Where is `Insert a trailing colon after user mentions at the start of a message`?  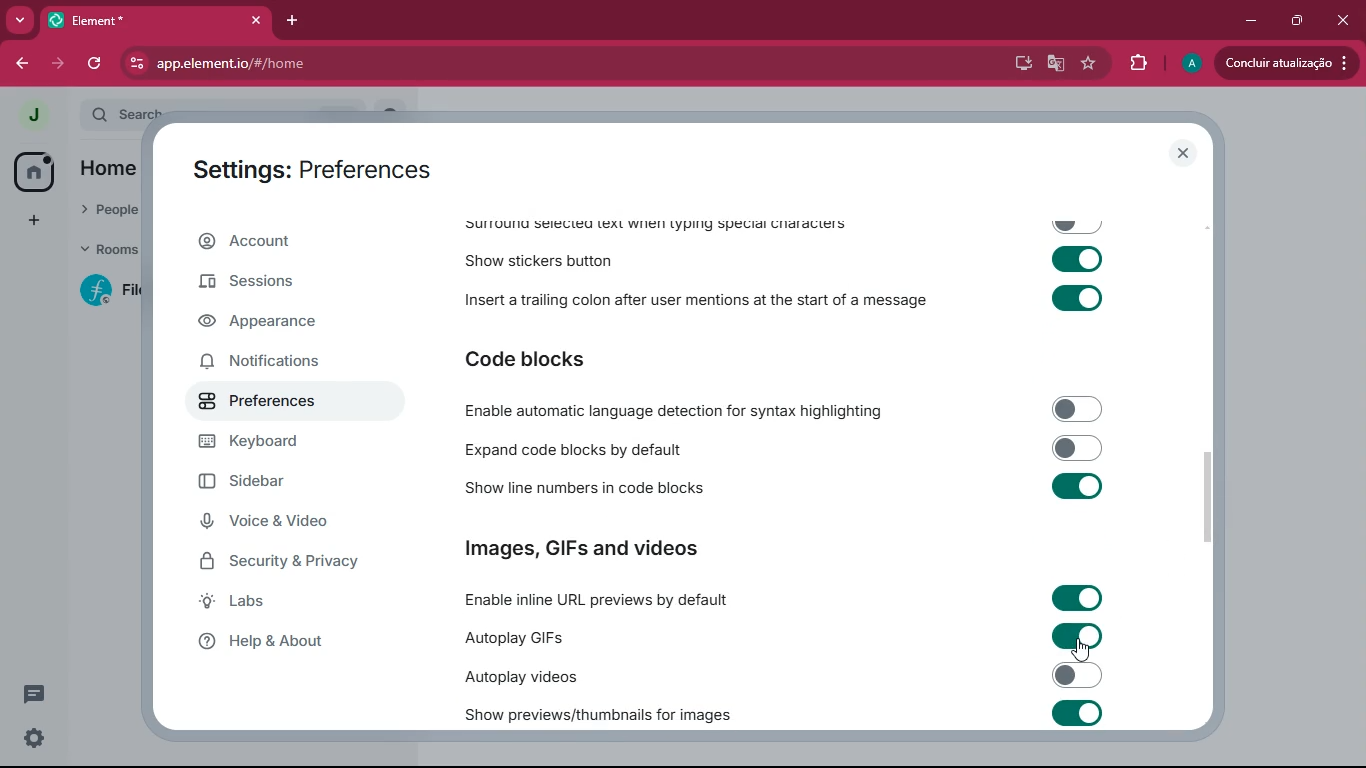 Insert a trailing colon after user mentions at the start of a message is located at coordinates (782, 301).